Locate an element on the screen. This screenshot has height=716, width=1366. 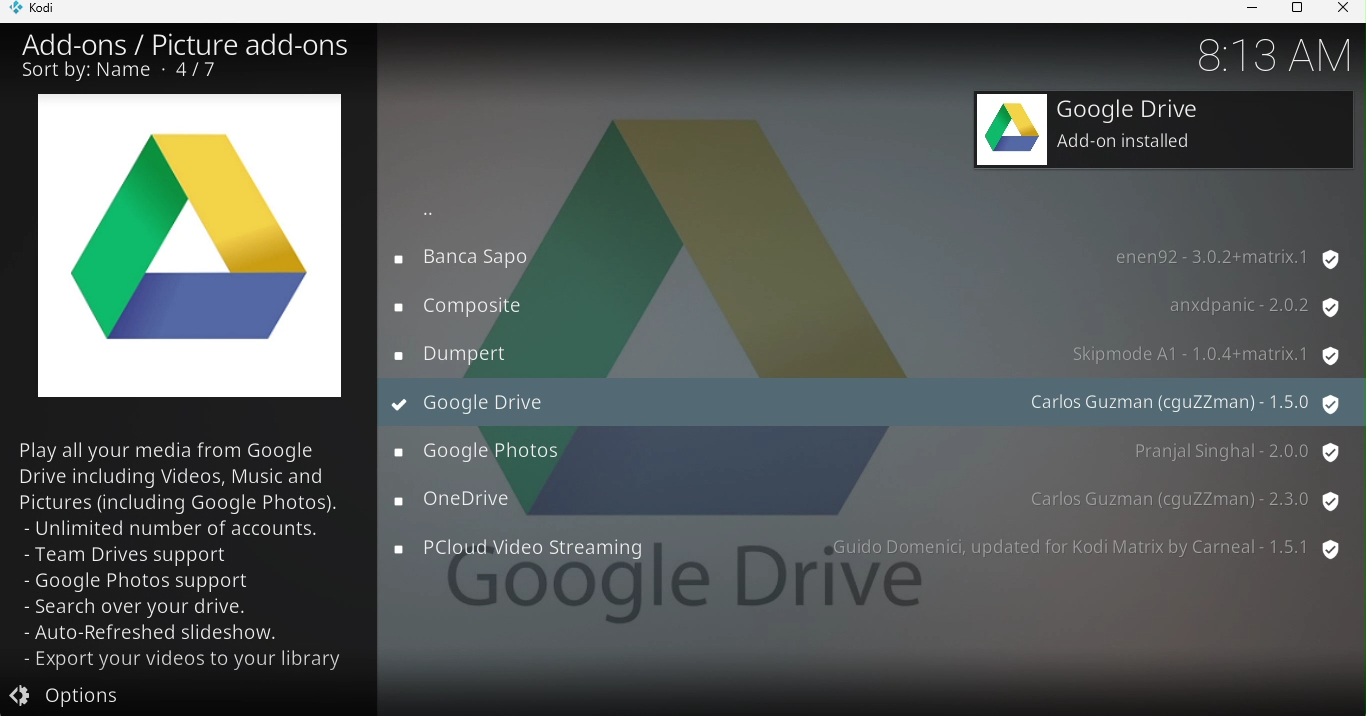
Google drive is located at coordinates (1166, 130).